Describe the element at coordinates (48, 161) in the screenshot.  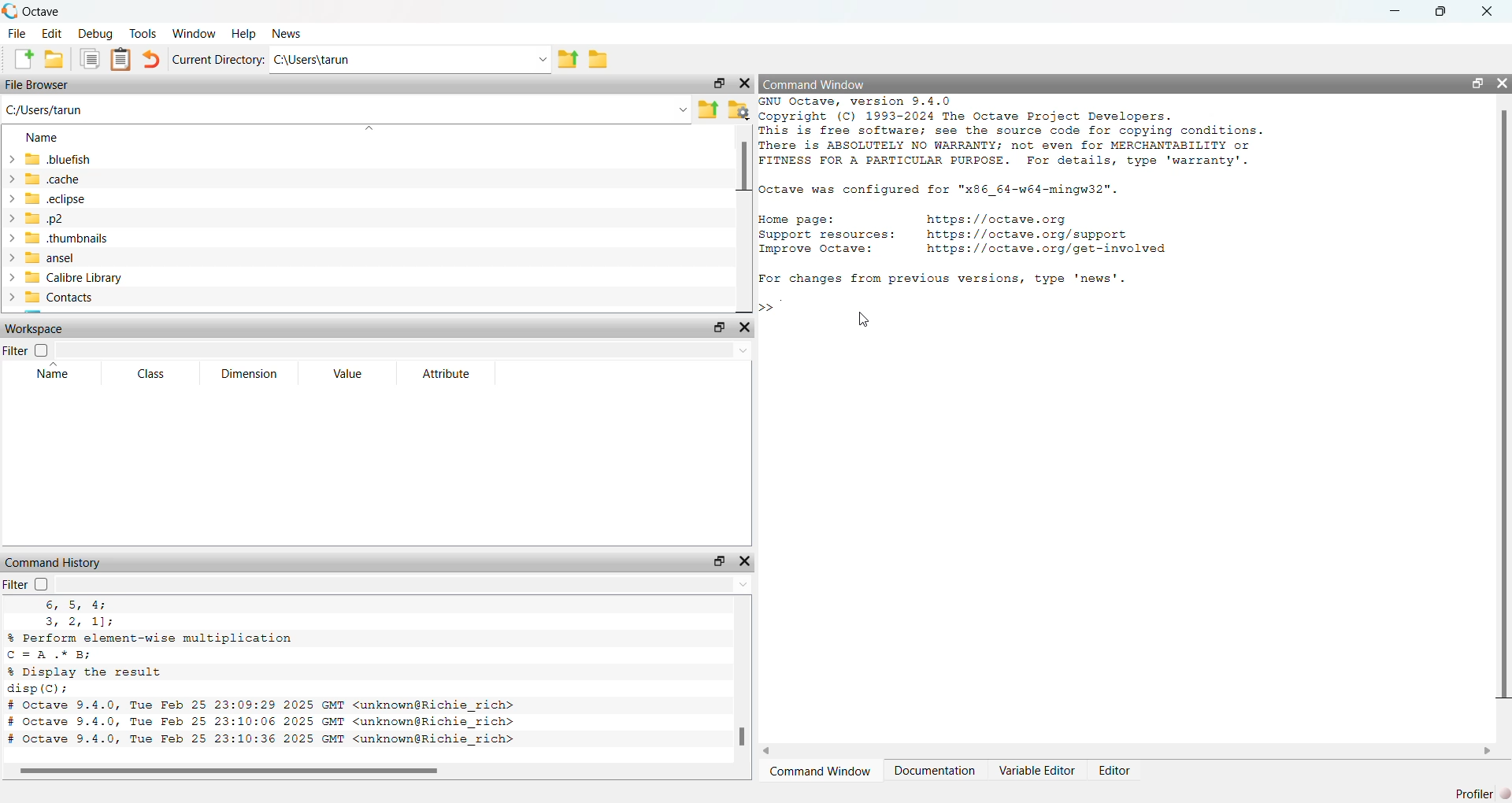
I see `.bluefish` at that location.